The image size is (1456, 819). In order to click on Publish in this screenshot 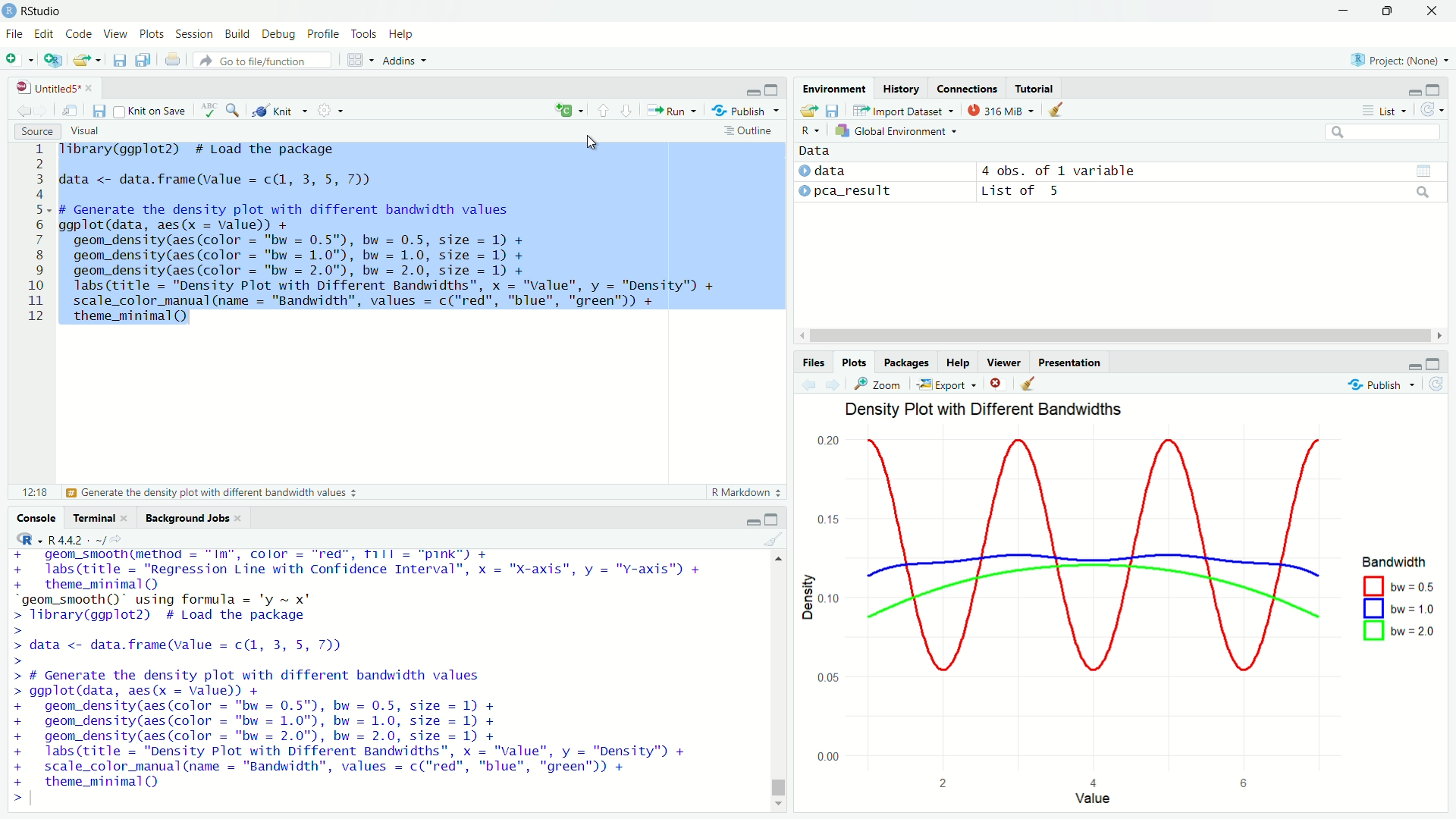, I will do `click(1382, 385)`.